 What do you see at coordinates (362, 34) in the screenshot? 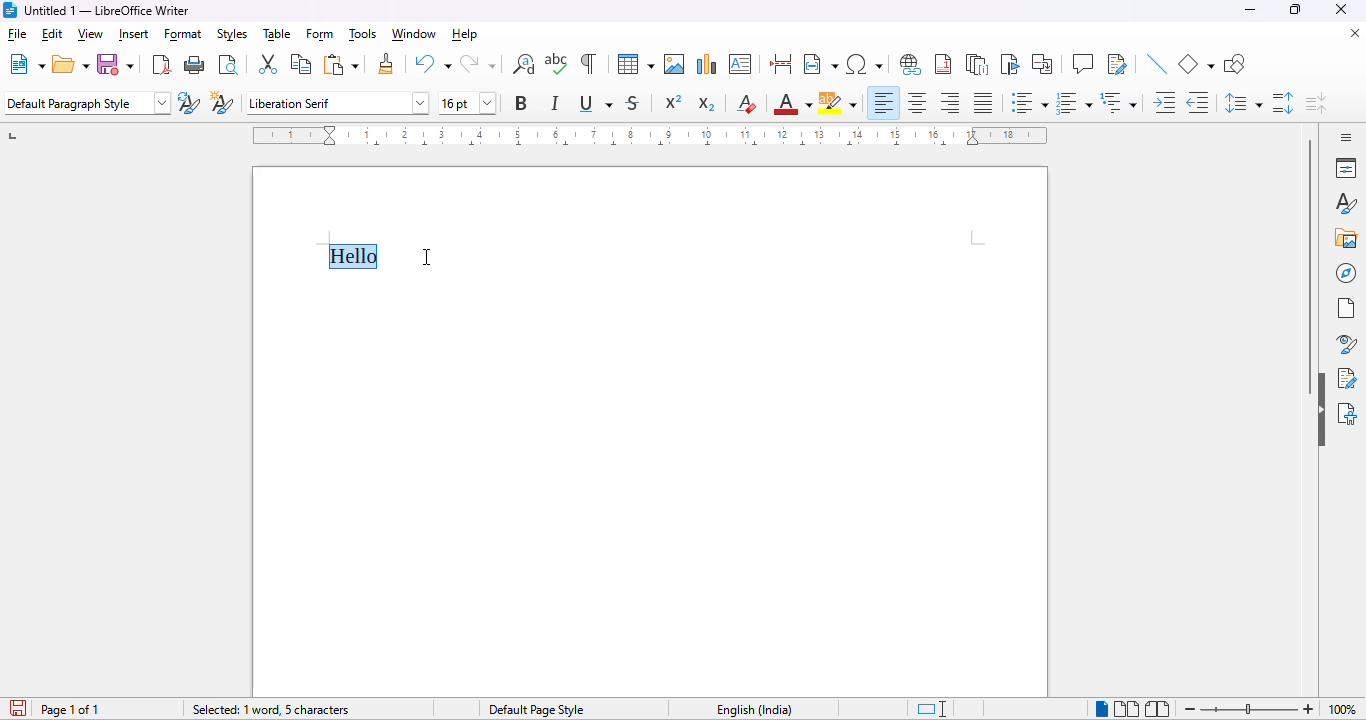
I see `tools` at bounding box center [362, 34].